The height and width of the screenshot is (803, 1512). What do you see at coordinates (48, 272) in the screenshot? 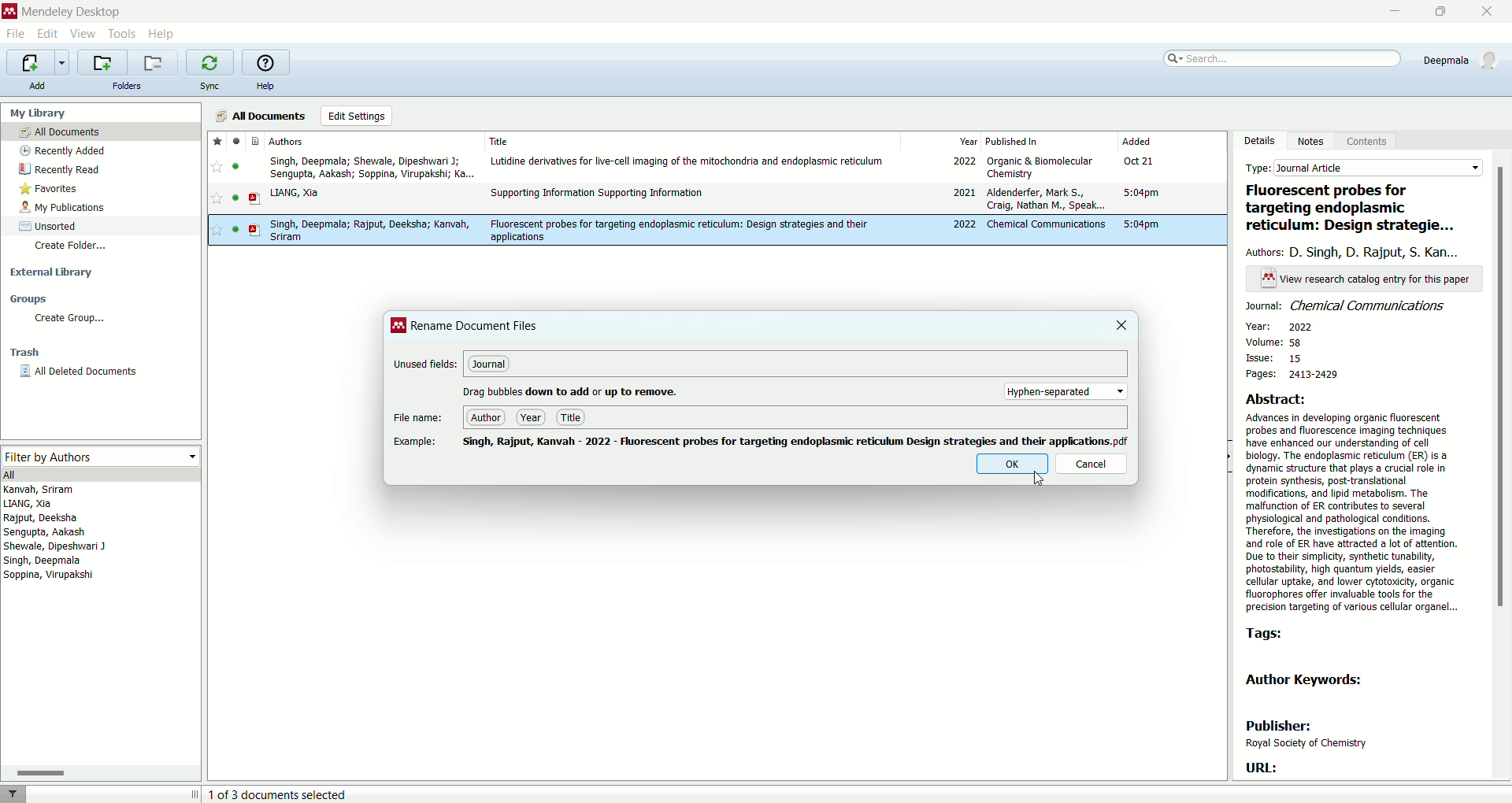
I see `external library` at bounding box center [48, 272].